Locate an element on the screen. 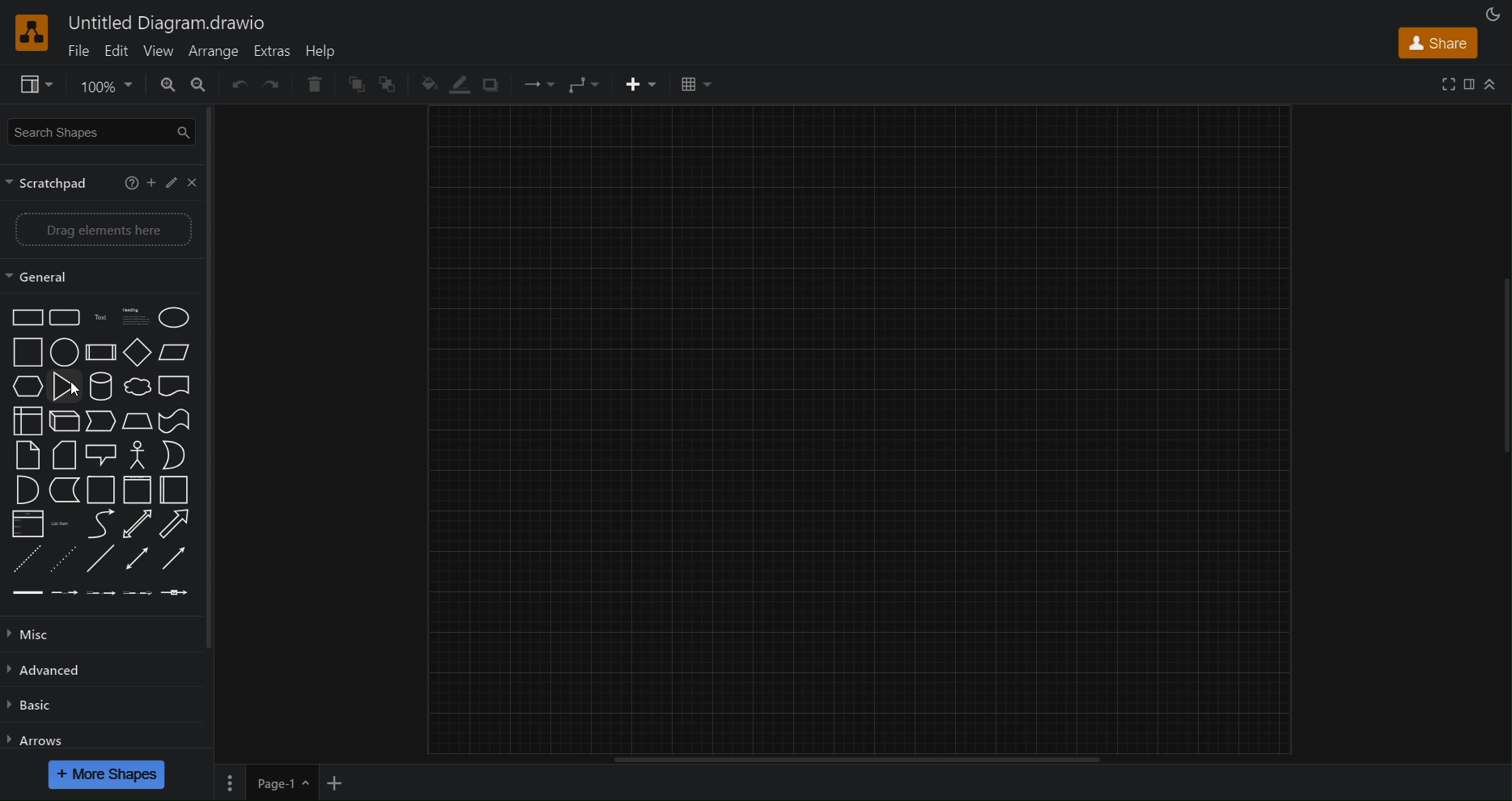 This screenshot has height=801, width=1512. Pages is located at coordinates (227, 782).